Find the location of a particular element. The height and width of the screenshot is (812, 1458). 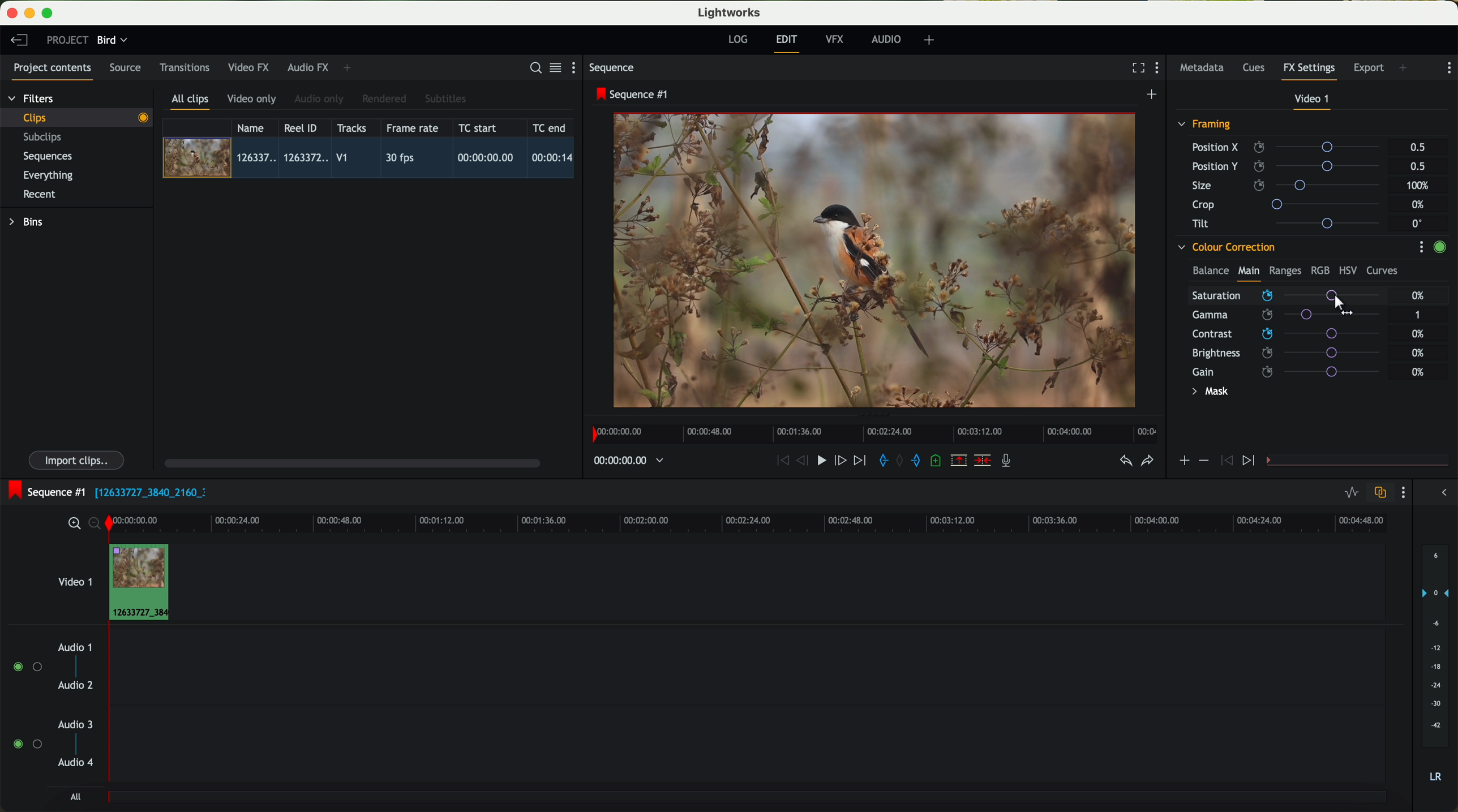

click on contrast is located at coordinates (1286, 335).